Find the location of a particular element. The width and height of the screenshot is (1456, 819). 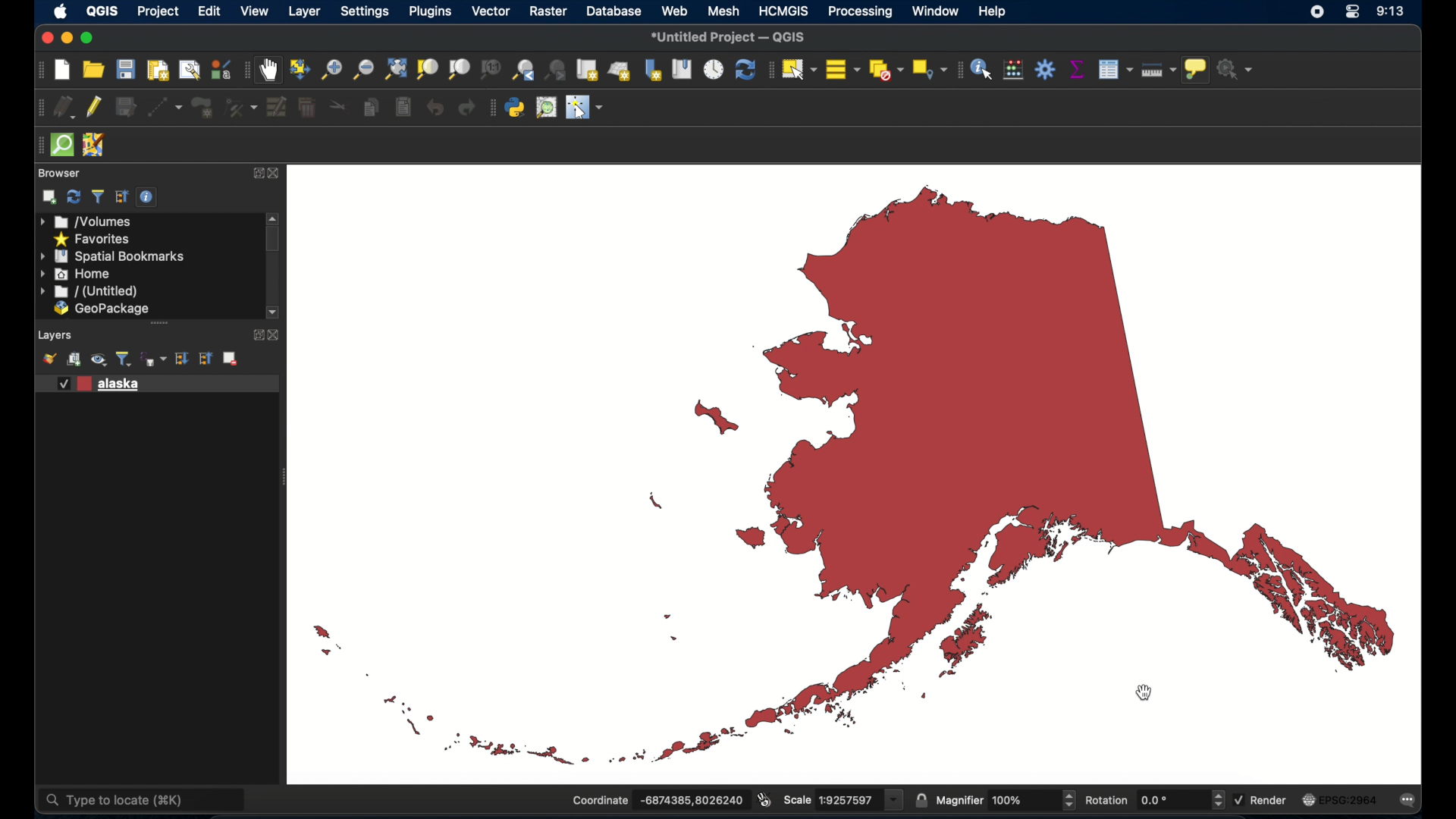

untitled is located at coordinates (89, 292).